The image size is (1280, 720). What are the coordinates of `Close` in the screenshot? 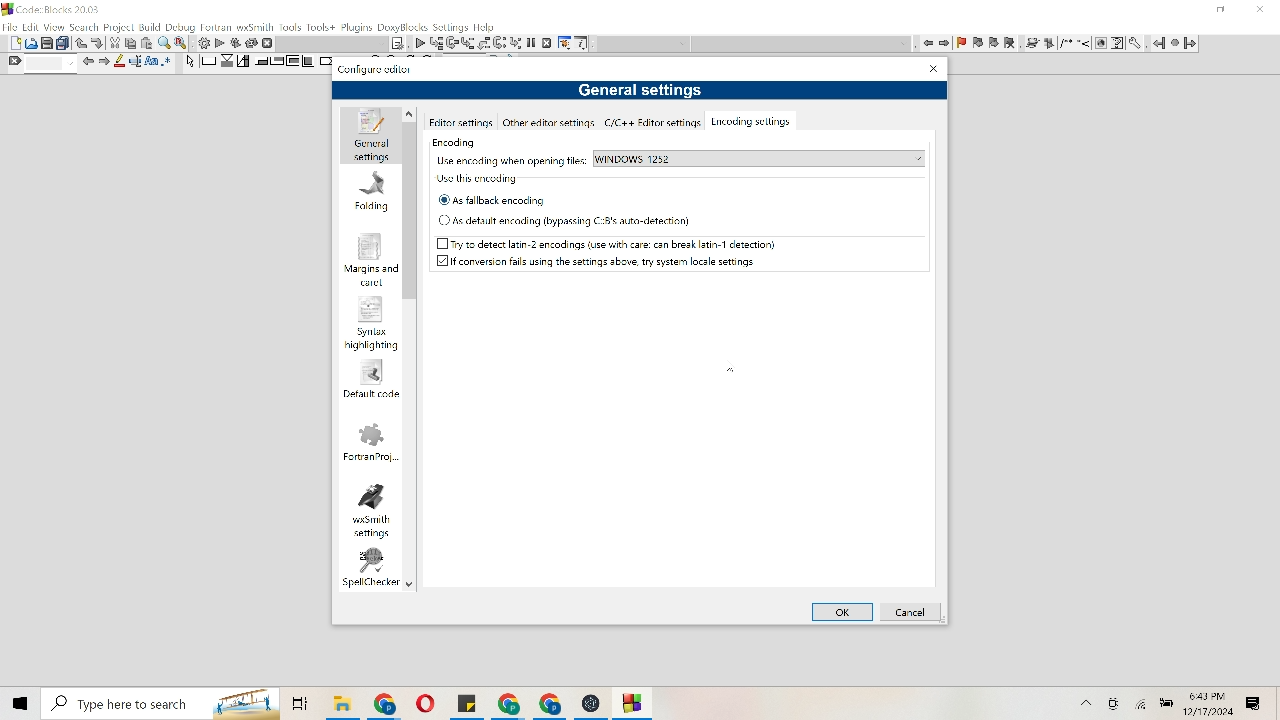 It's located at (1261, 10).